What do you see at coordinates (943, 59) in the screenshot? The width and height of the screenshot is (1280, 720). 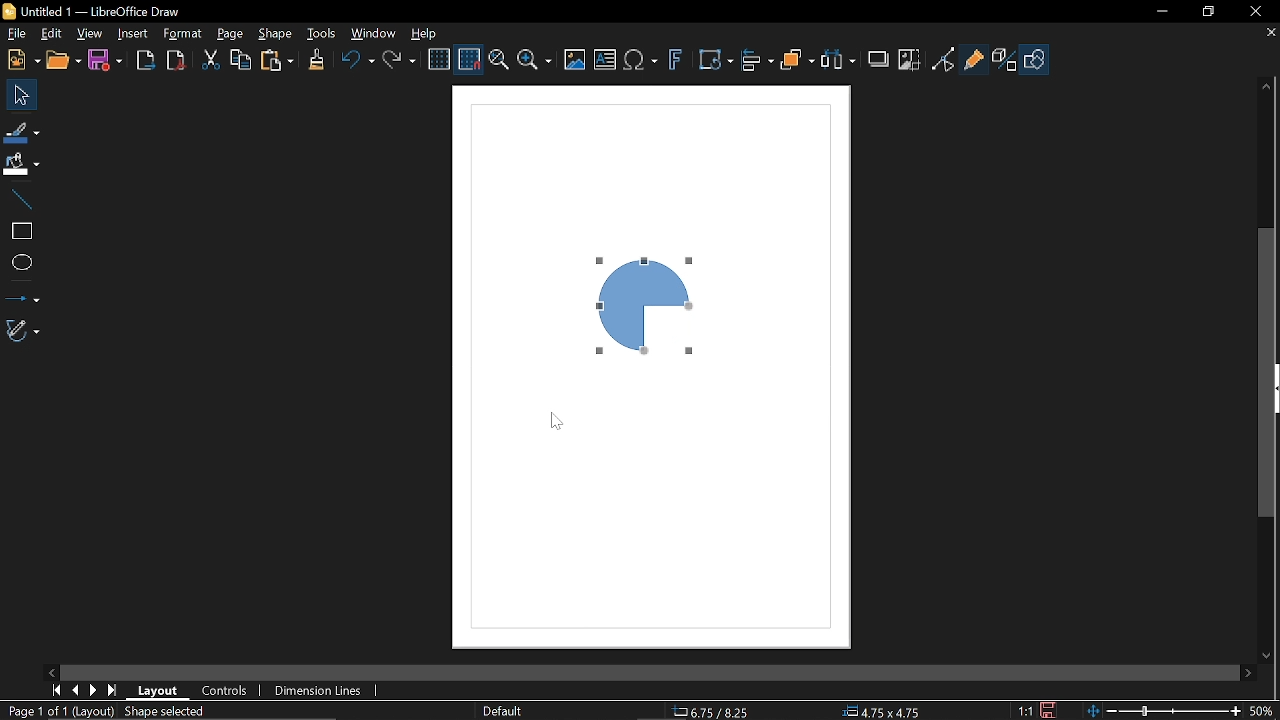 I see `Toggle` at bounding box center [943, 59].